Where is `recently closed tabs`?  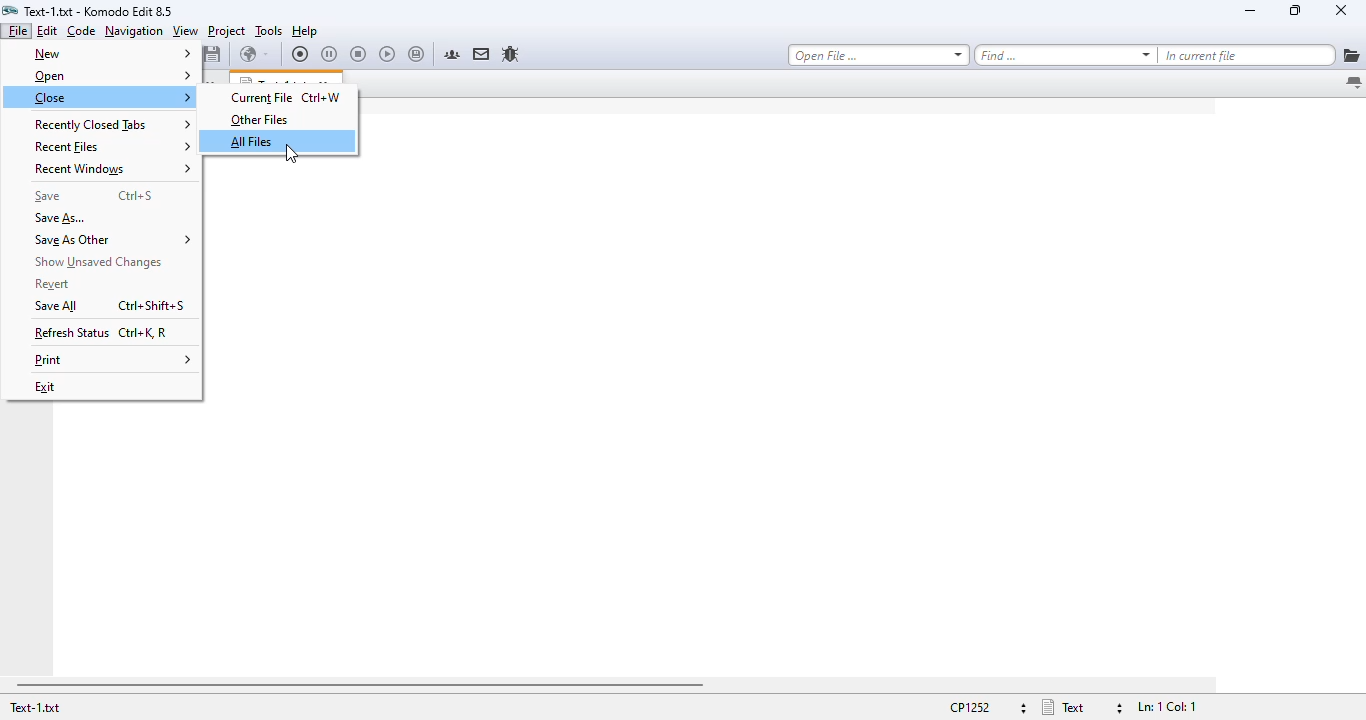
recently closed tabs is located at coordinates (112, 124).